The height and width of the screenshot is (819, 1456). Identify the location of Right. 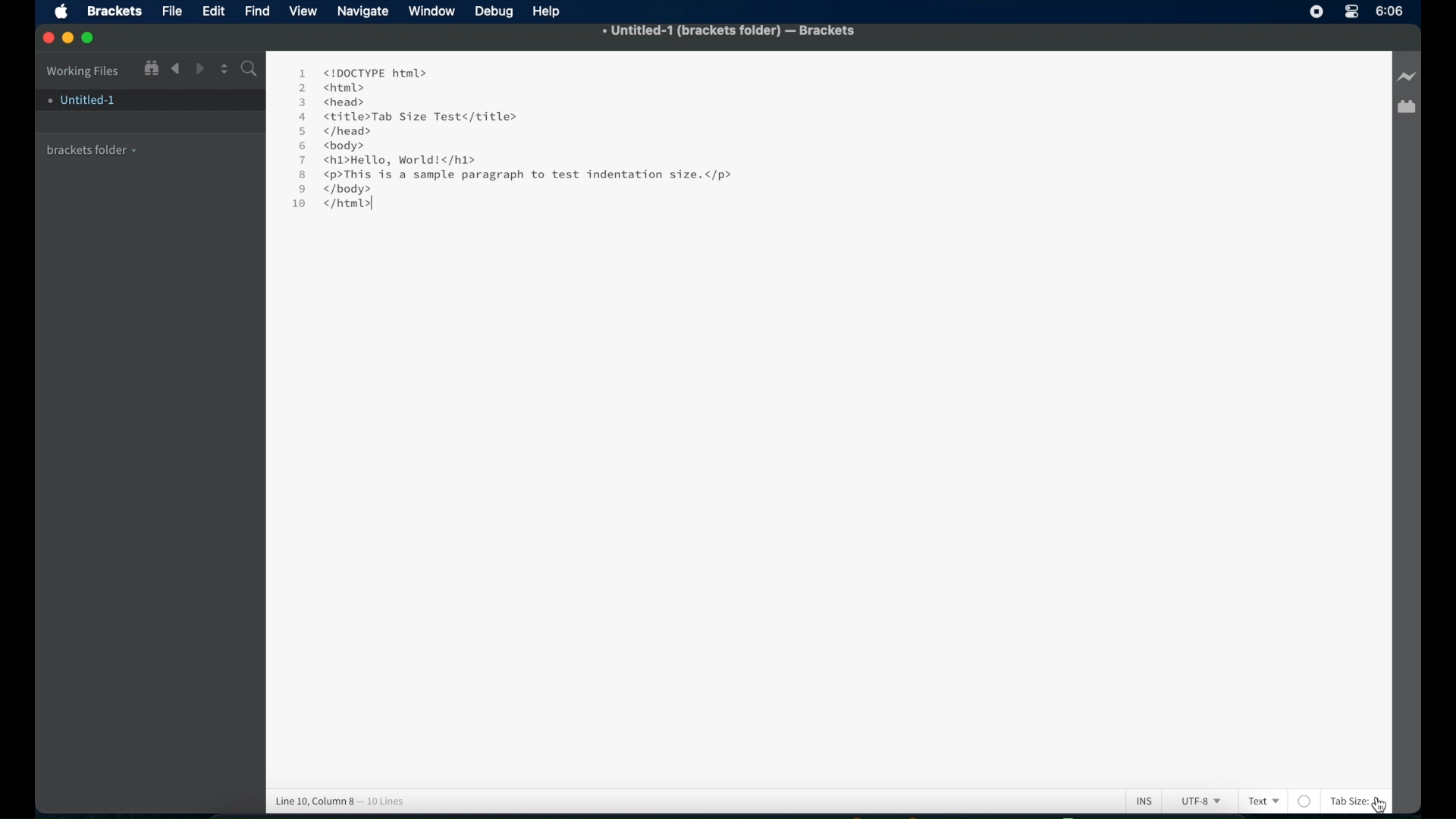
(201, 68).